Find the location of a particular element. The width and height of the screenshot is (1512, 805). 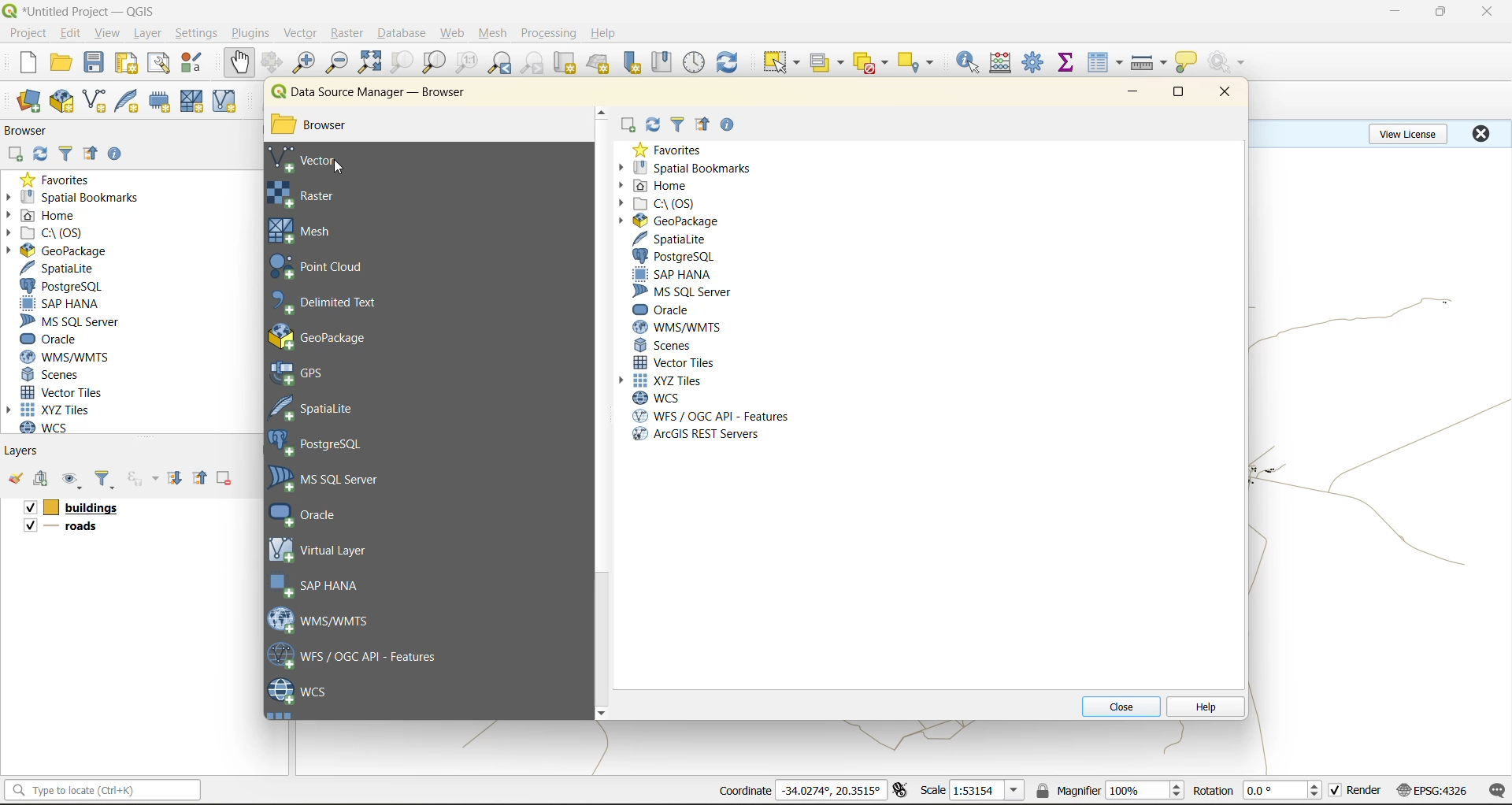

new 3d map is located at coordinates (600, 63).